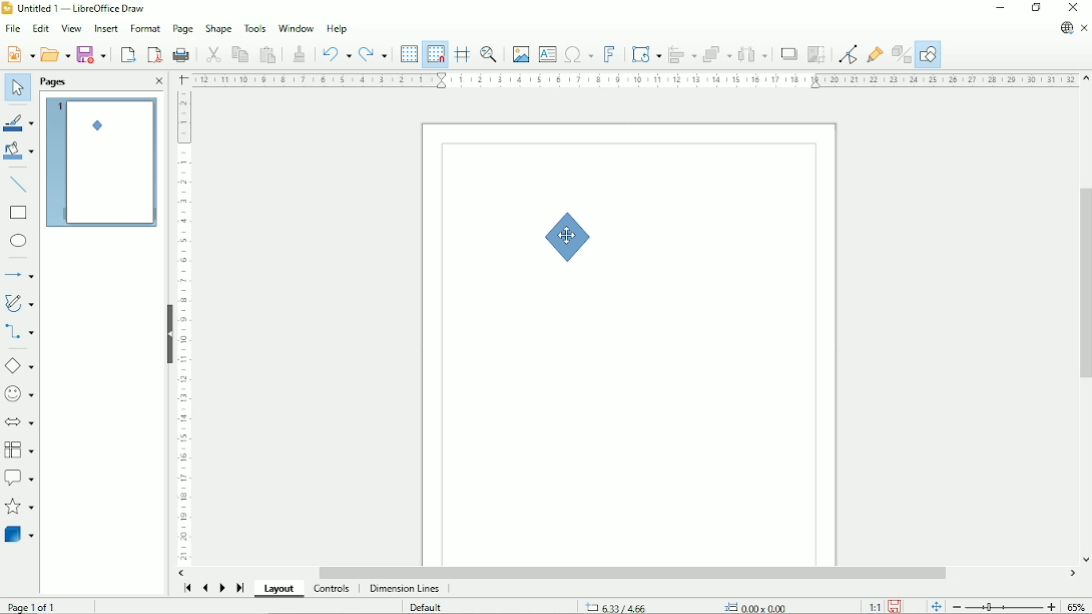 This screenshot has height=614, width=1092. What do you see at coordinates (375, 53) in the screenshot?
I see `Redo` at bounding box center [375, 53].